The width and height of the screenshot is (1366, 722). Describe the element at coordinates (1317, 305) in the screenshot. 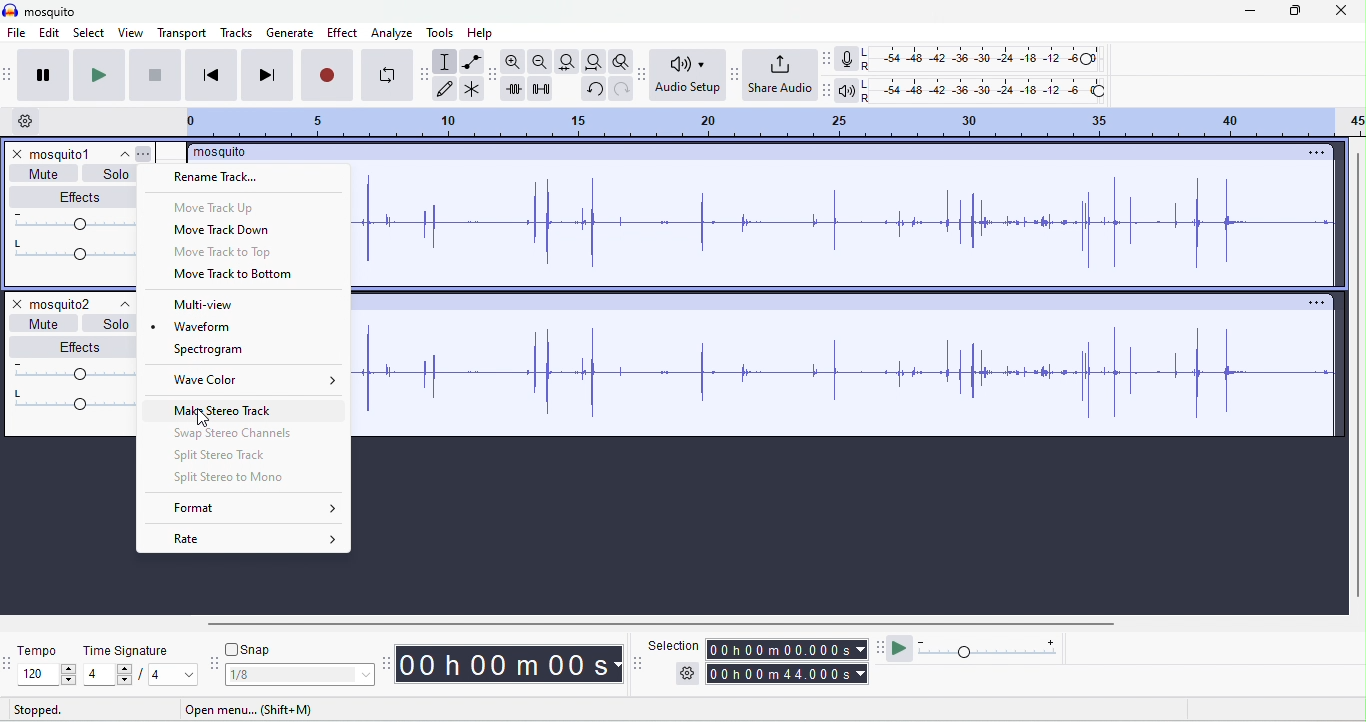

I see `options` at that location.